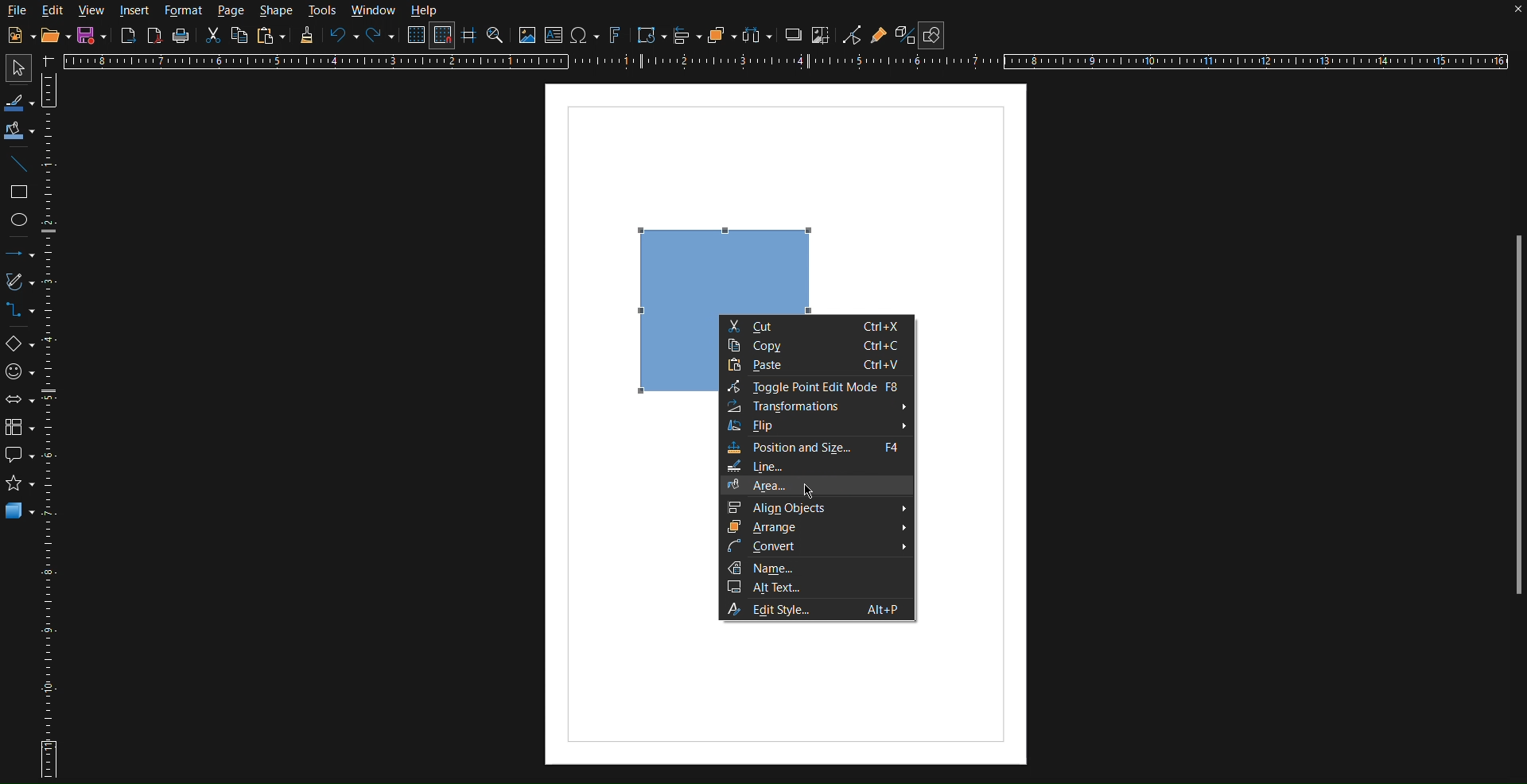  Describe the element at coordinates (19, 371) in the screenshot. I see `Symbol Shapes` at that location.